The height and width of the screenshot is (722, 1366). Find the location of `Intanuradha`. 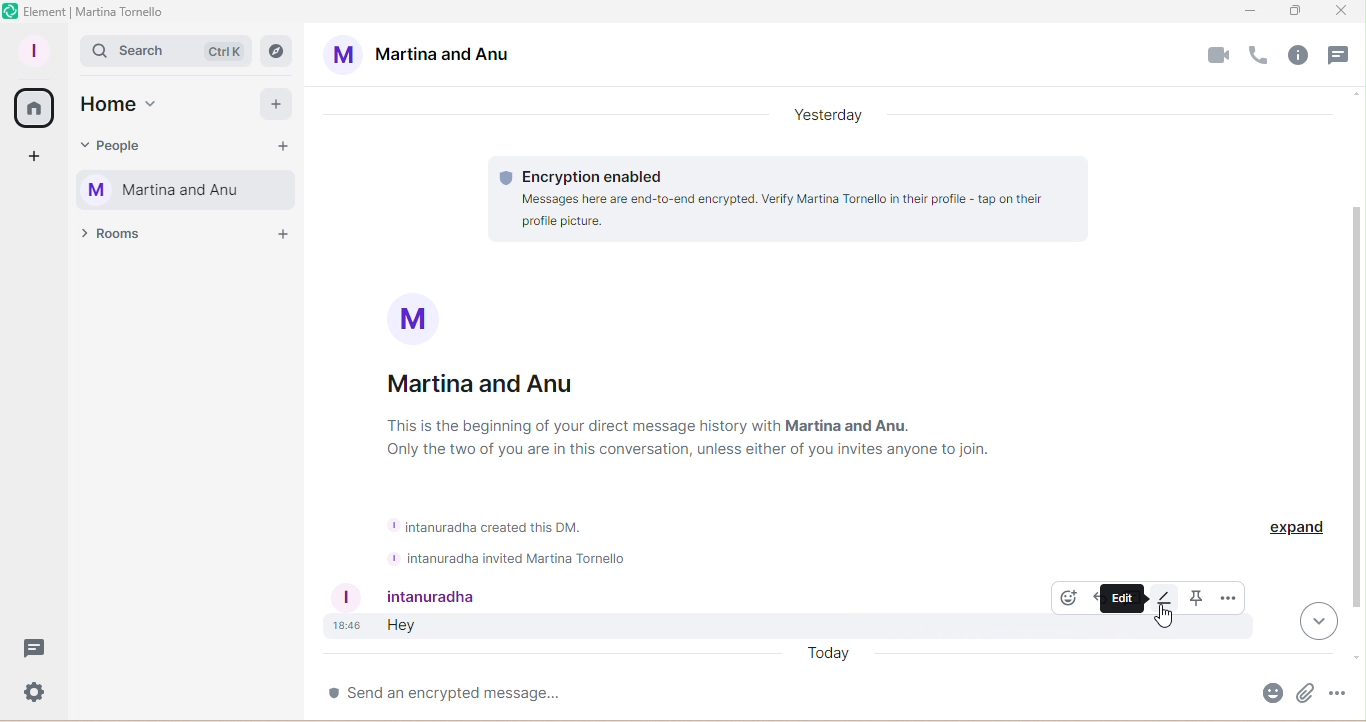

Intanuradha is located at coordinates (441, 596).